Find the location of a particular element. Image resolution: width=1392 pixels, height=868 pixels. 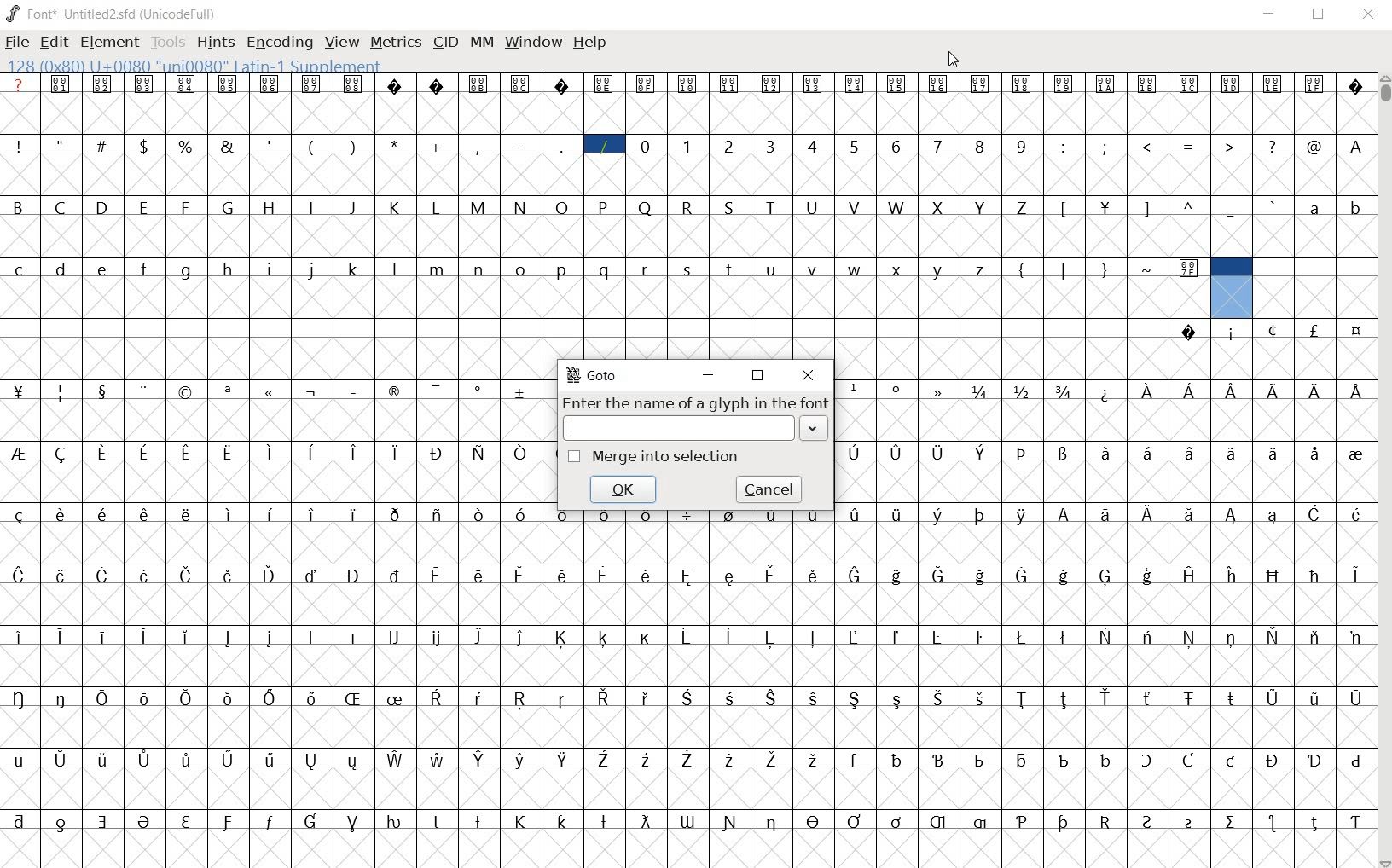

9 is located at coordinates (1024, 145).